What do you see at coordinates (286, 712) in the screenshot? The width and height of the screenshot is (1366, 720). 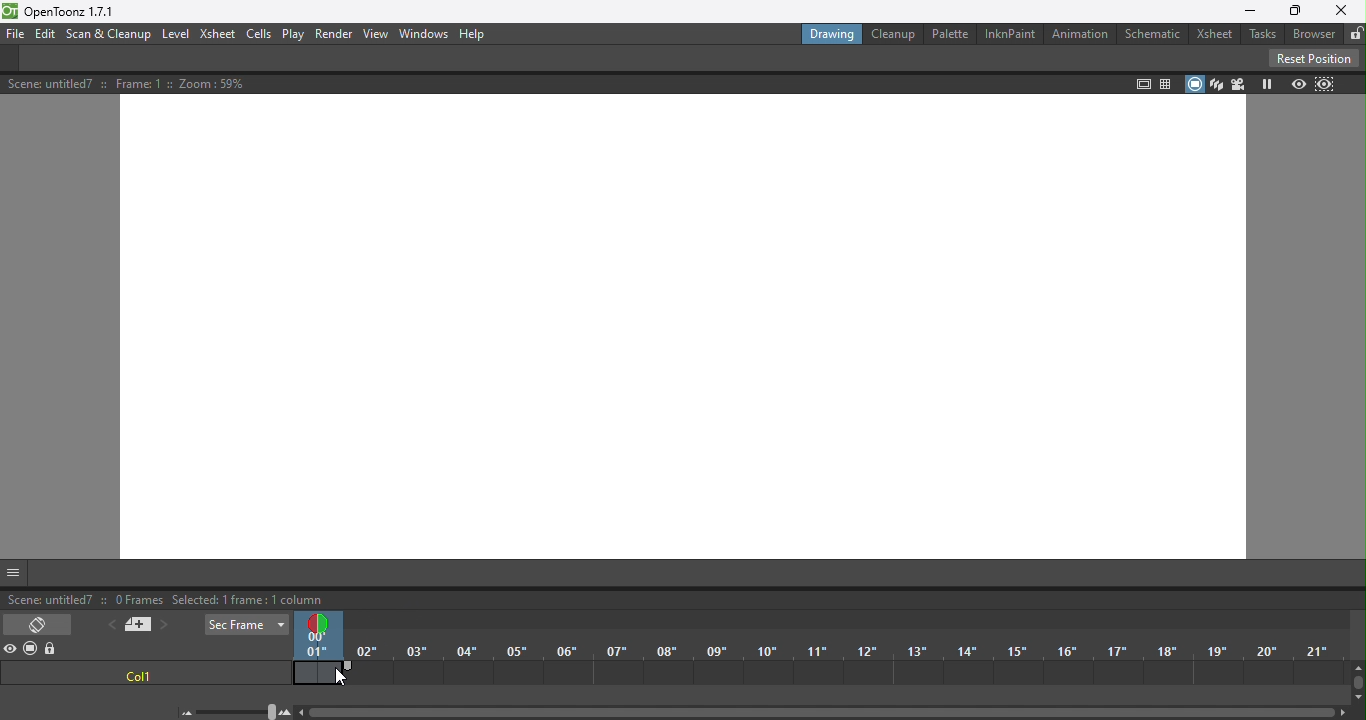 I see `Zoom in` at bounding box center [286, 712].